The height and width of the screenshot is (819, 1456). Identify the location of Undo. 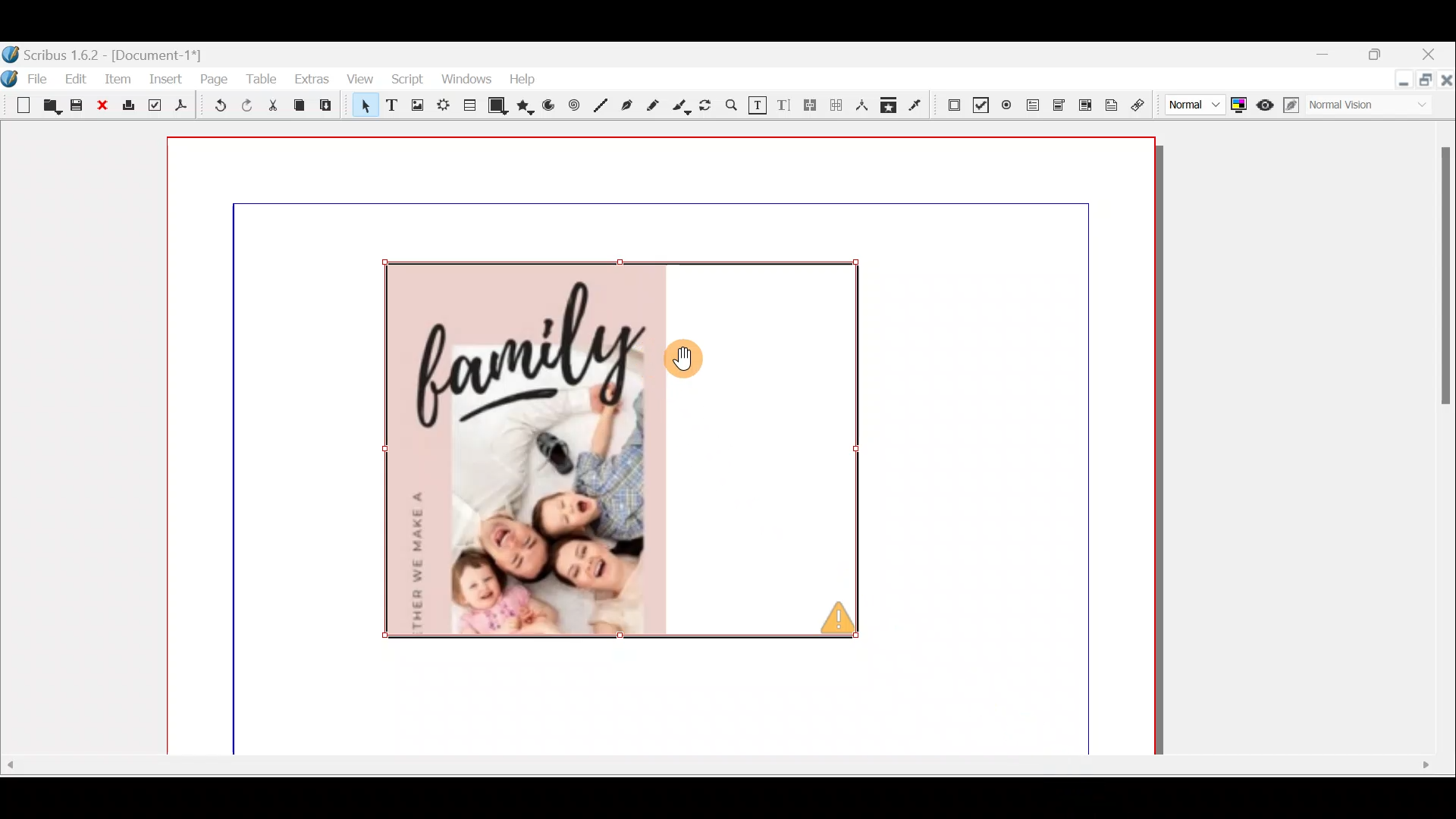
(215, 108).